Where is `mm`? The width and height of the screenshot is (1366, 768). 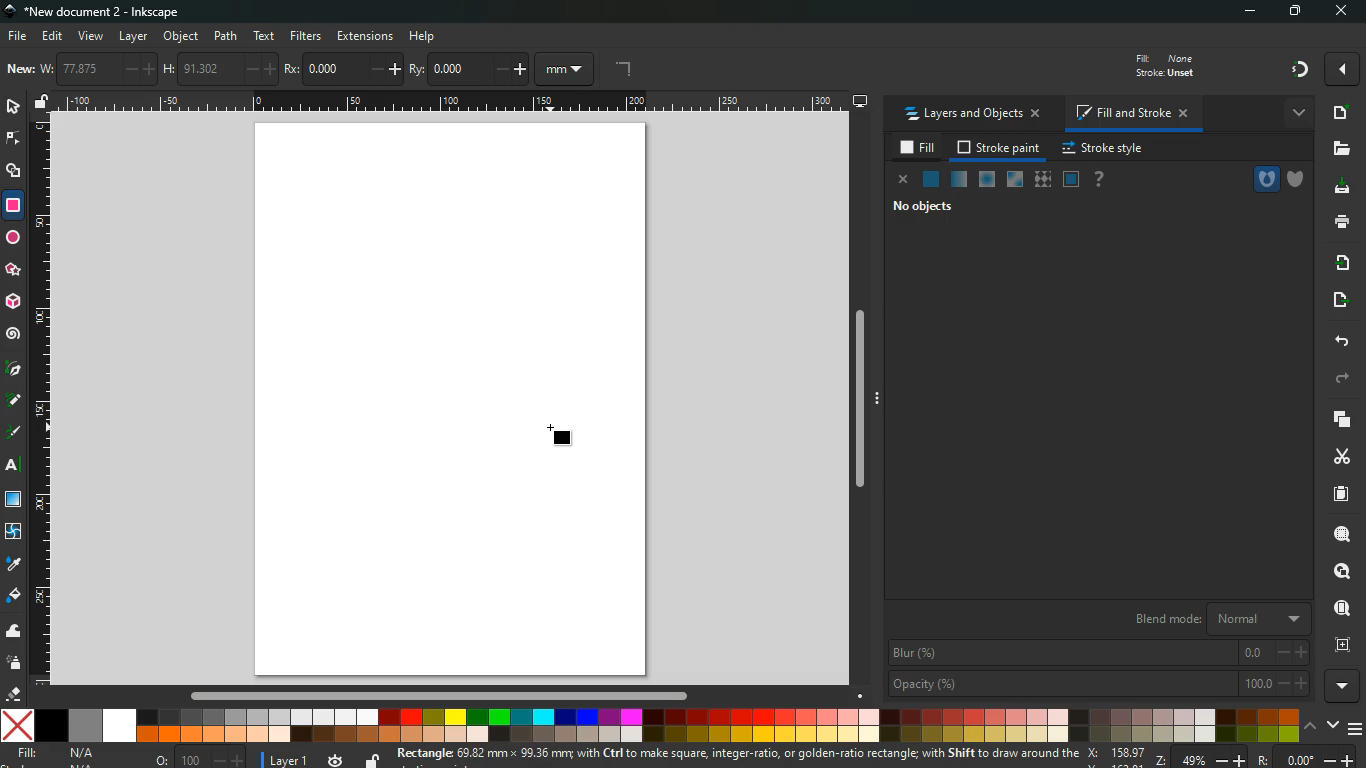 mm is located at coordinates (569, 69).